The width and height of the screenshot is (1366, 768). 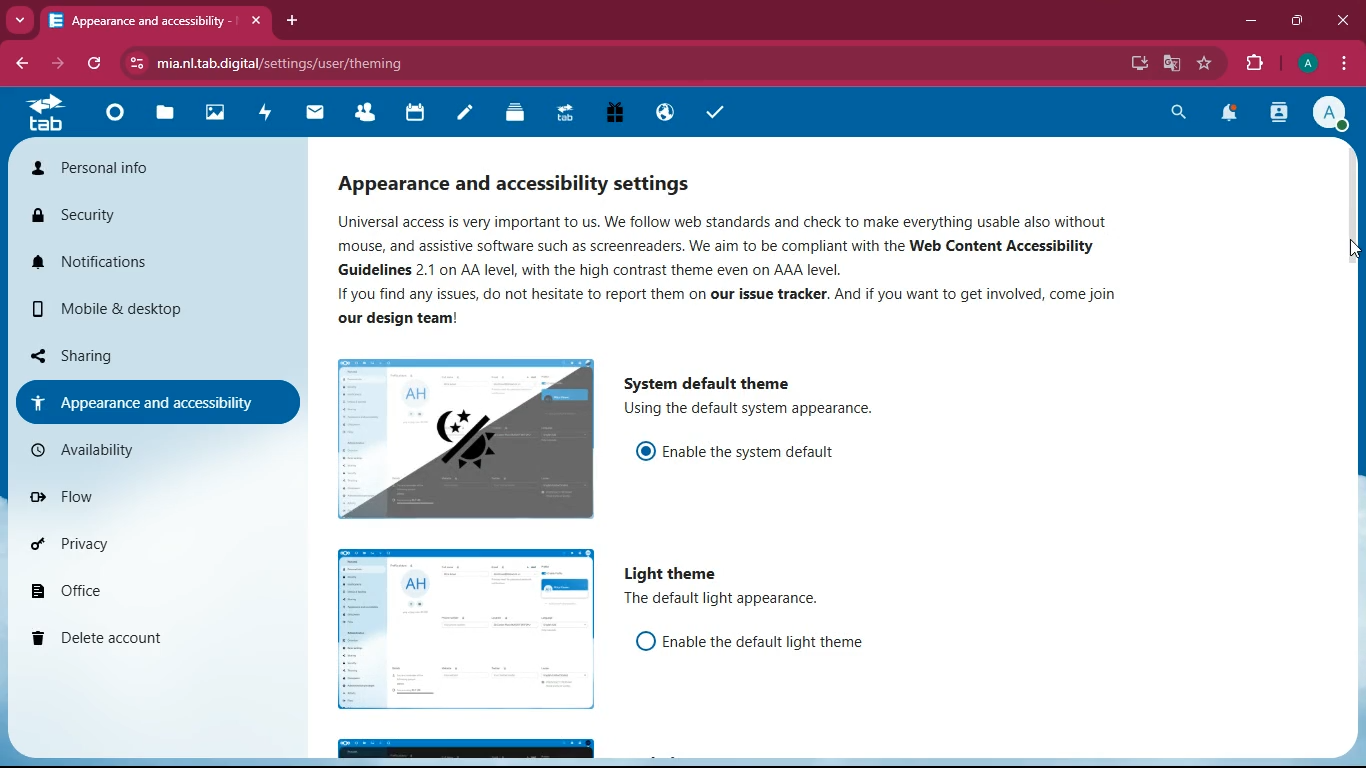 I want to click on layers, so click(x=517, y=115).